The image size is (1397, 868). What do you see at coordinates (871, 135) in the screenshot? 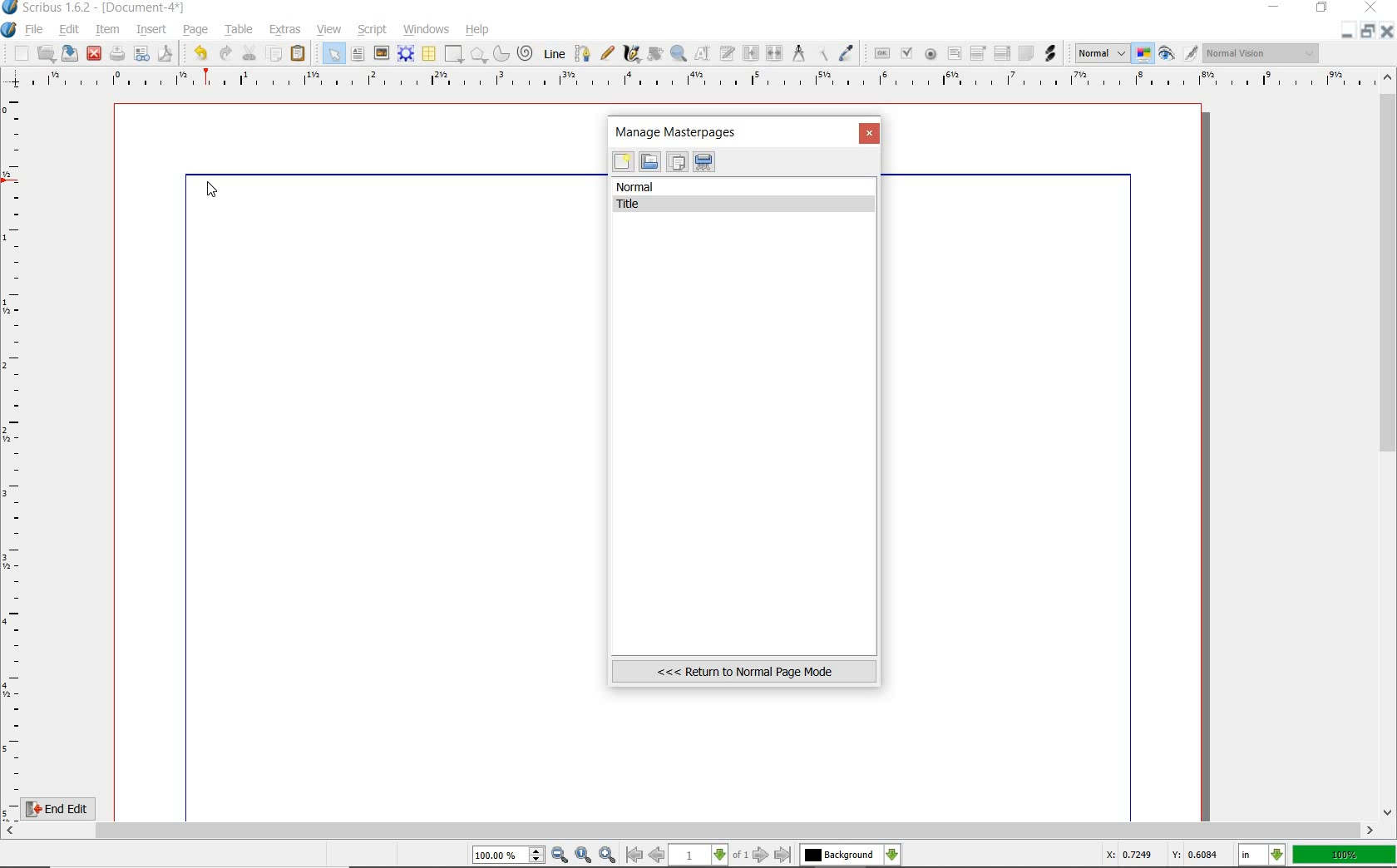
I see `close` at bounding box center [871, 135].